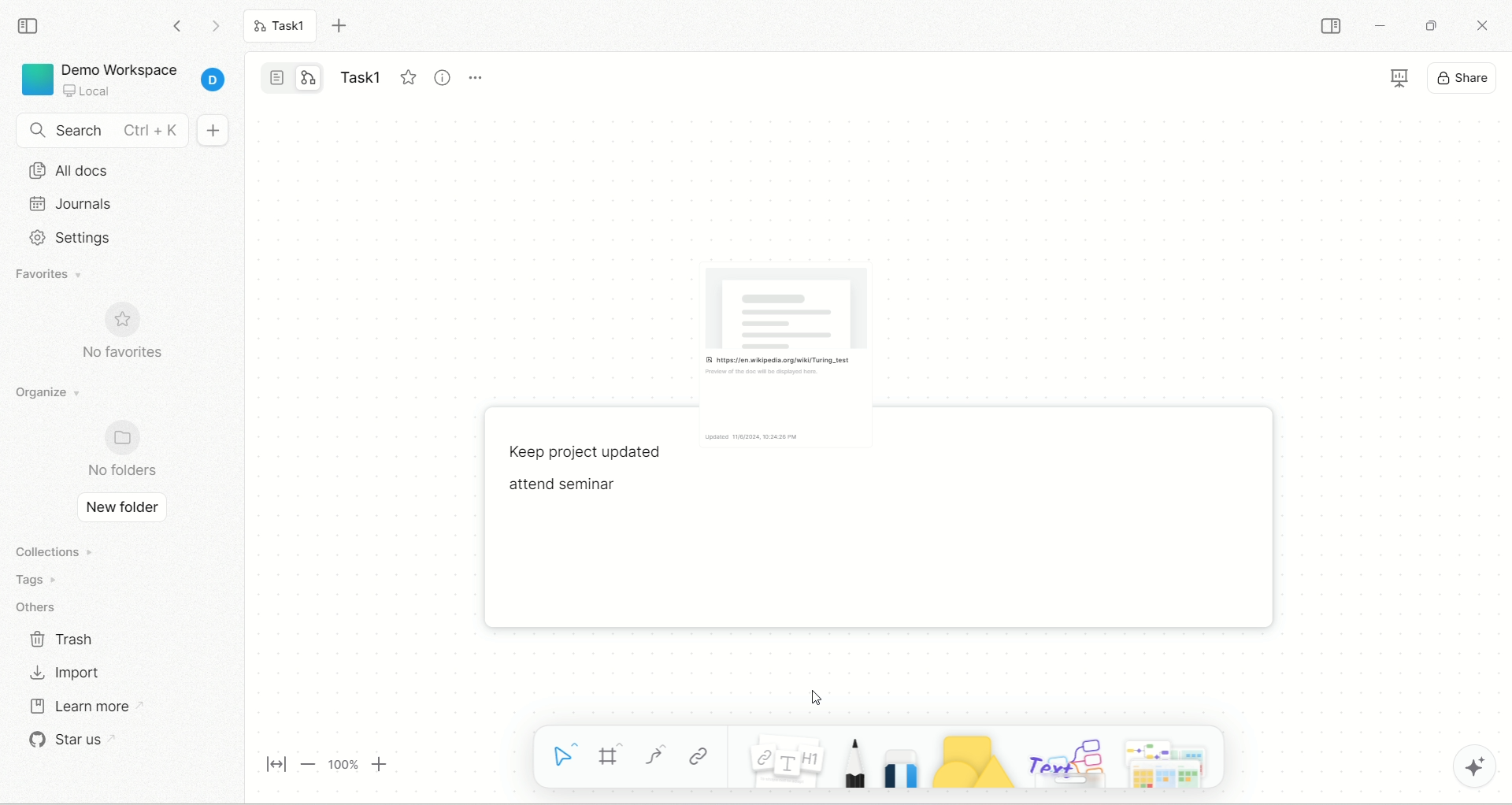 The width and height of the screenshot is (1512, 805). Describe the element at coordinates (65, 673) in the screenshot. I see `import` at that location.